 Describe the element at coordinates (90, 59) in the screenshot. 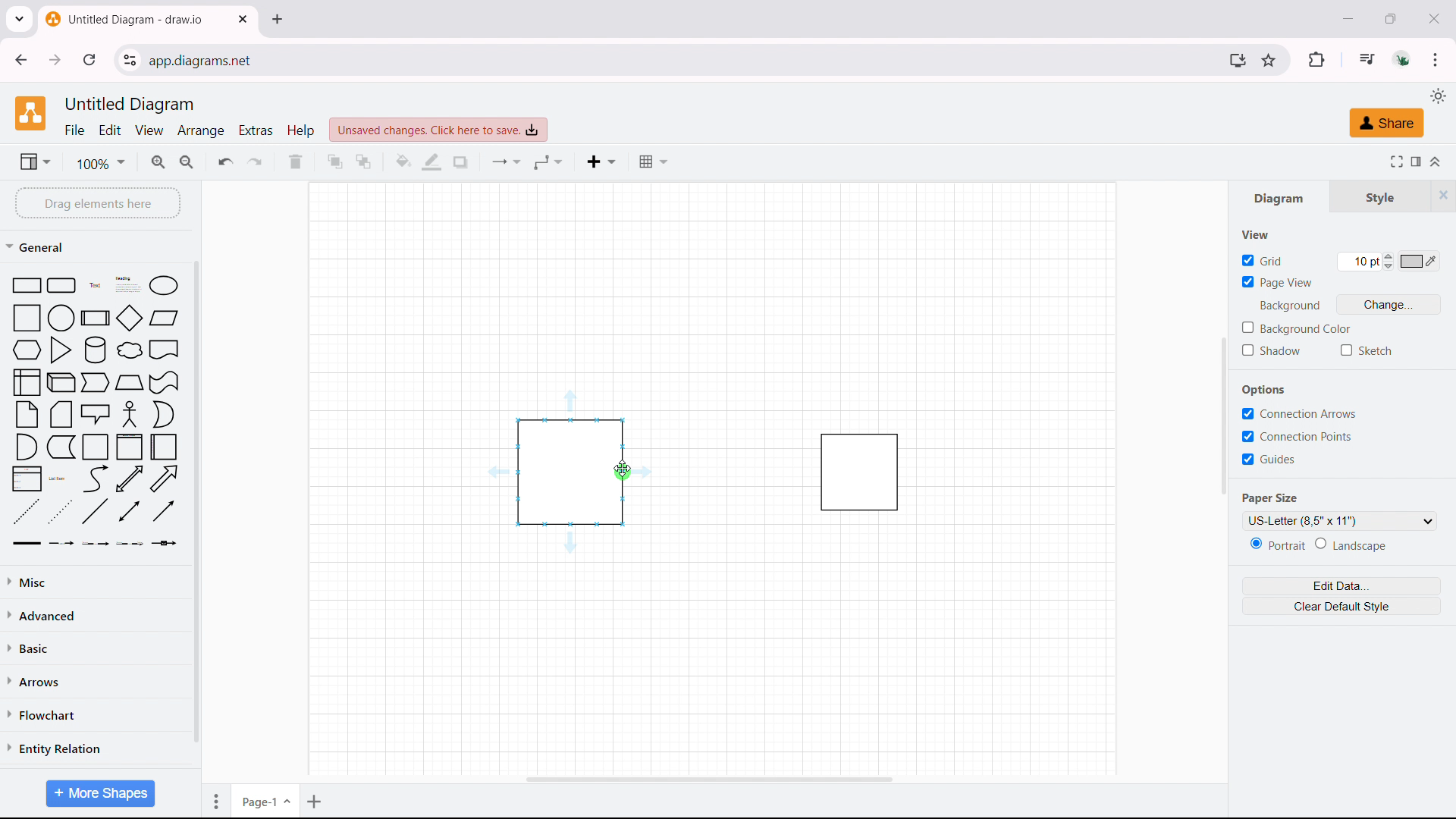

I see `refresh this page` at that location.